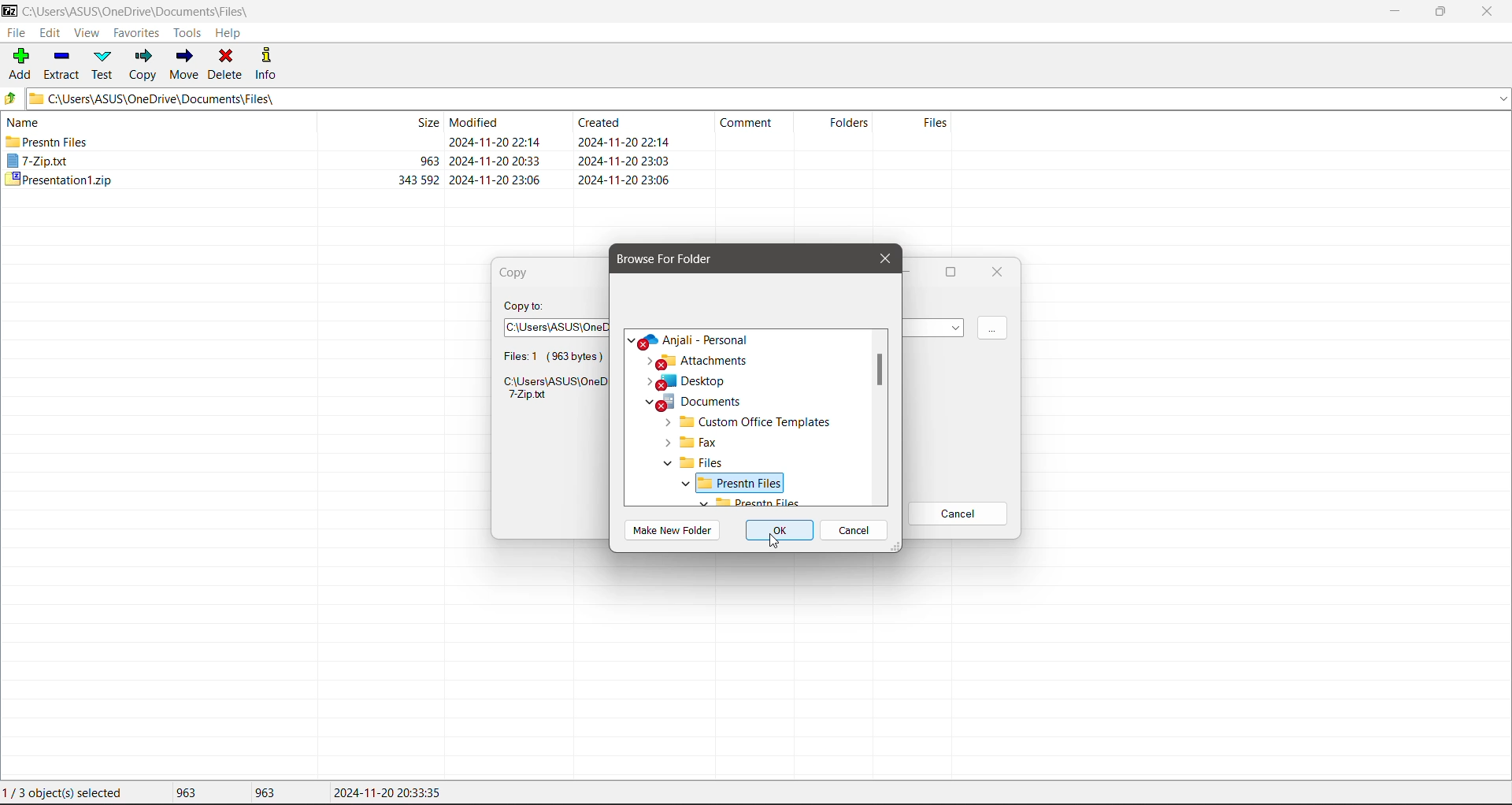  Describe the element at coordinates (843, 128) in the screenshot. I see `Folders` at that location.